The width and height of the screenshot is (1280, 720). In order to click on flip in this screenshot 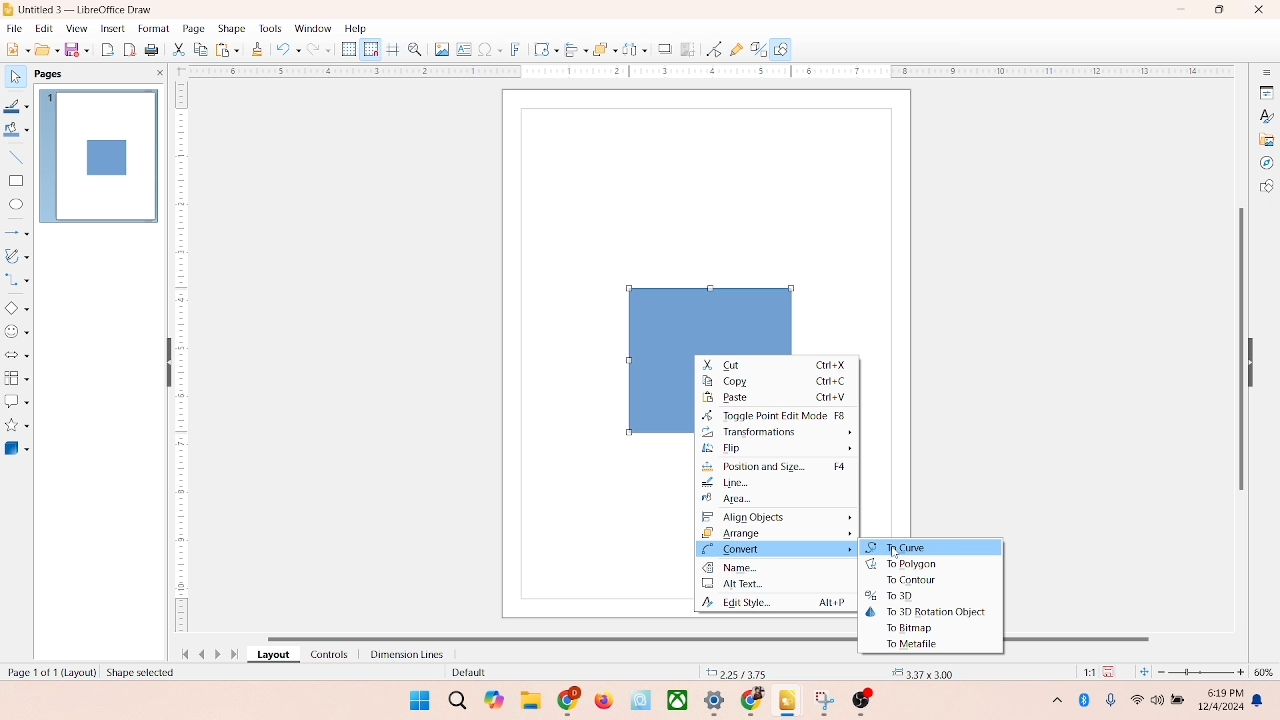, I will do `click(780, 448)`.